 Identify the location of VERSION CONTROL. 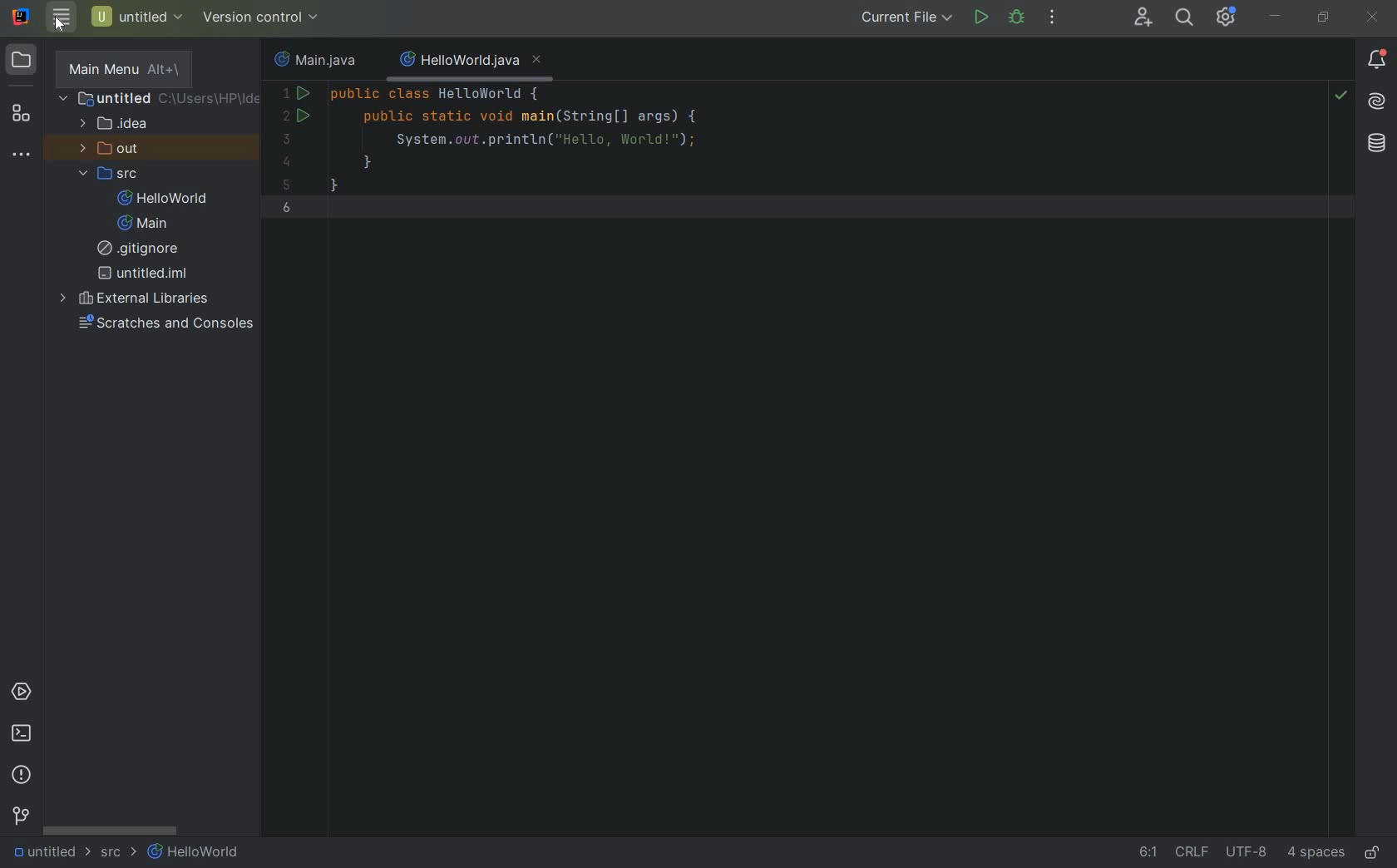
(264, 16).